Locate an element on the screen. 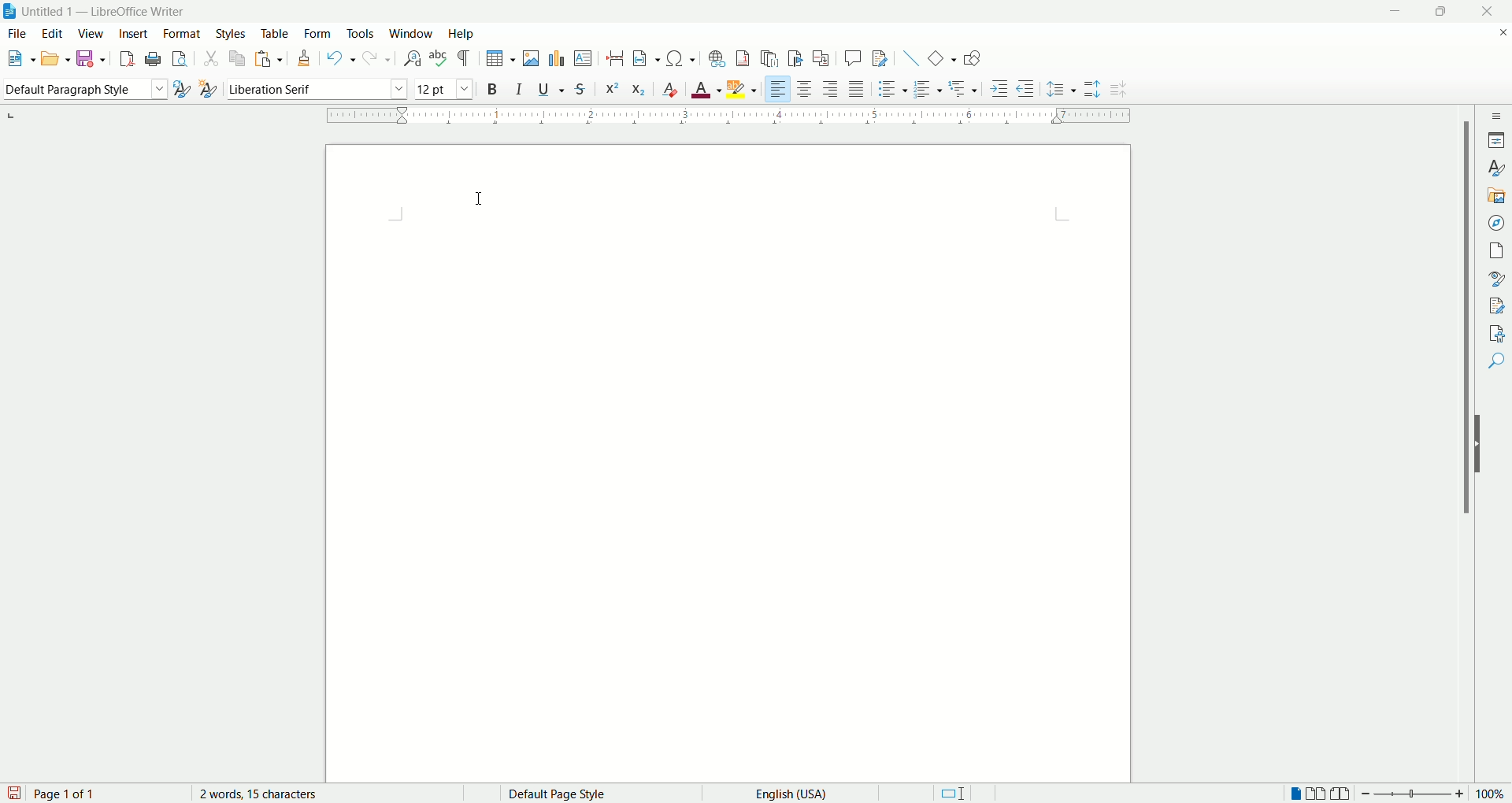  main page is located at coordinates (727, 461).